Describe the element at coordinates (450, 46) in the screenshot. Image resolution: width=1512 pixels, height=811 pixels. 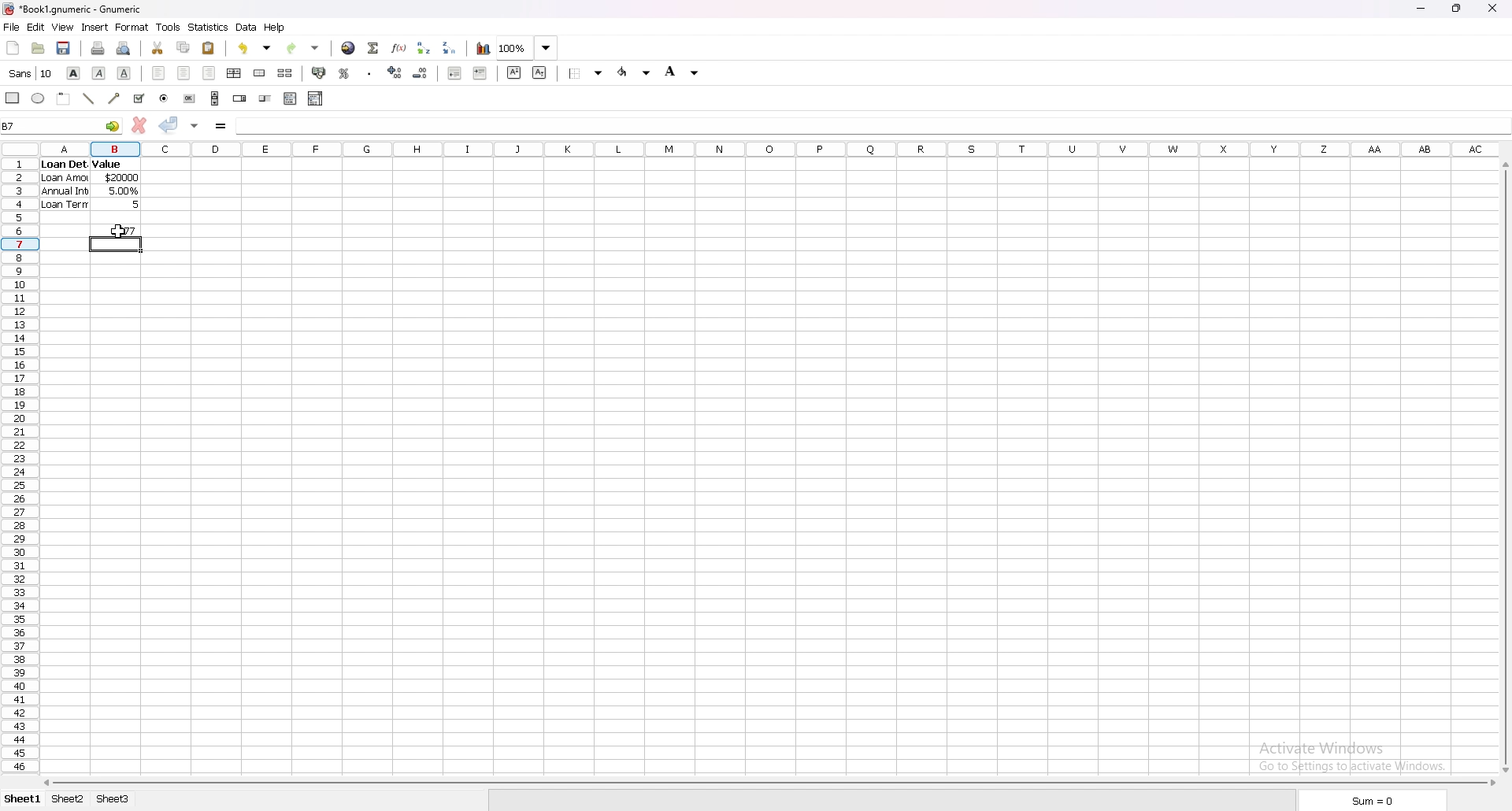
I see `sort descending` at that location.